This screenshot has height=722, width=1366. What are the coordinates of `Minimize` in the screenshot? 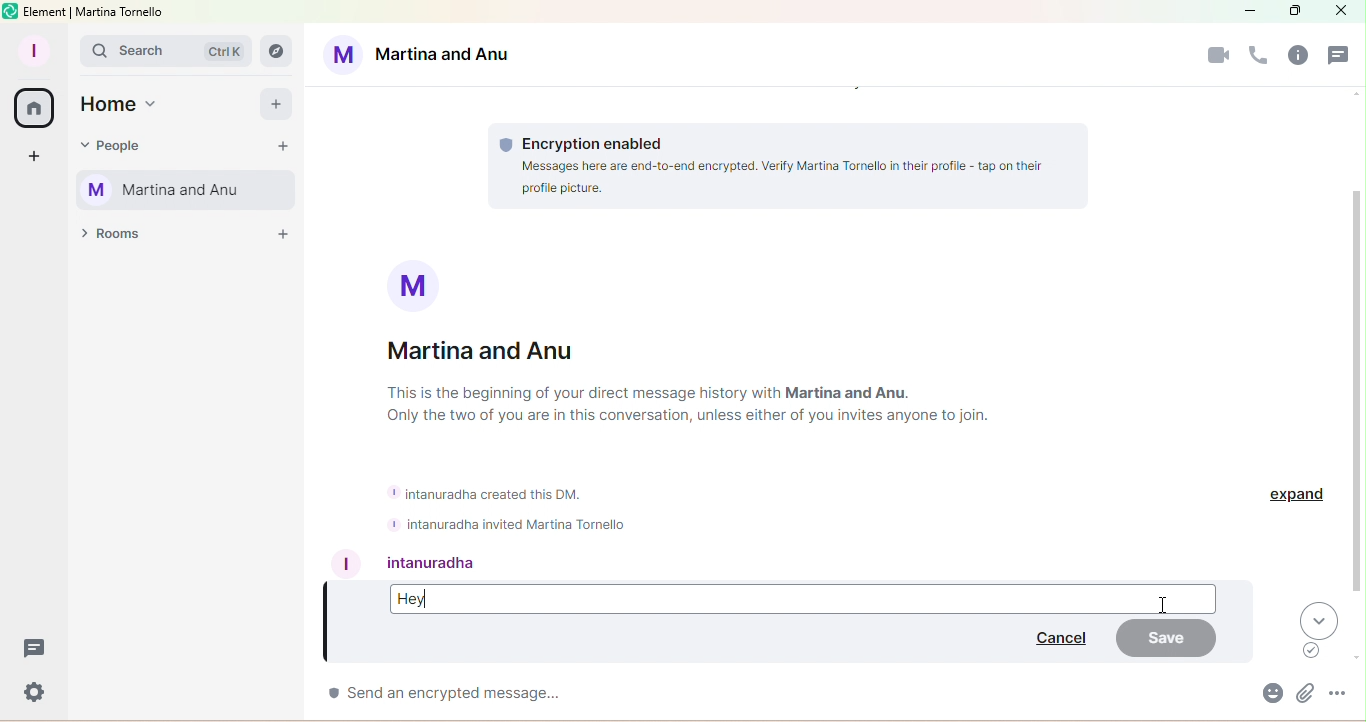 It's located at (1251, 11).